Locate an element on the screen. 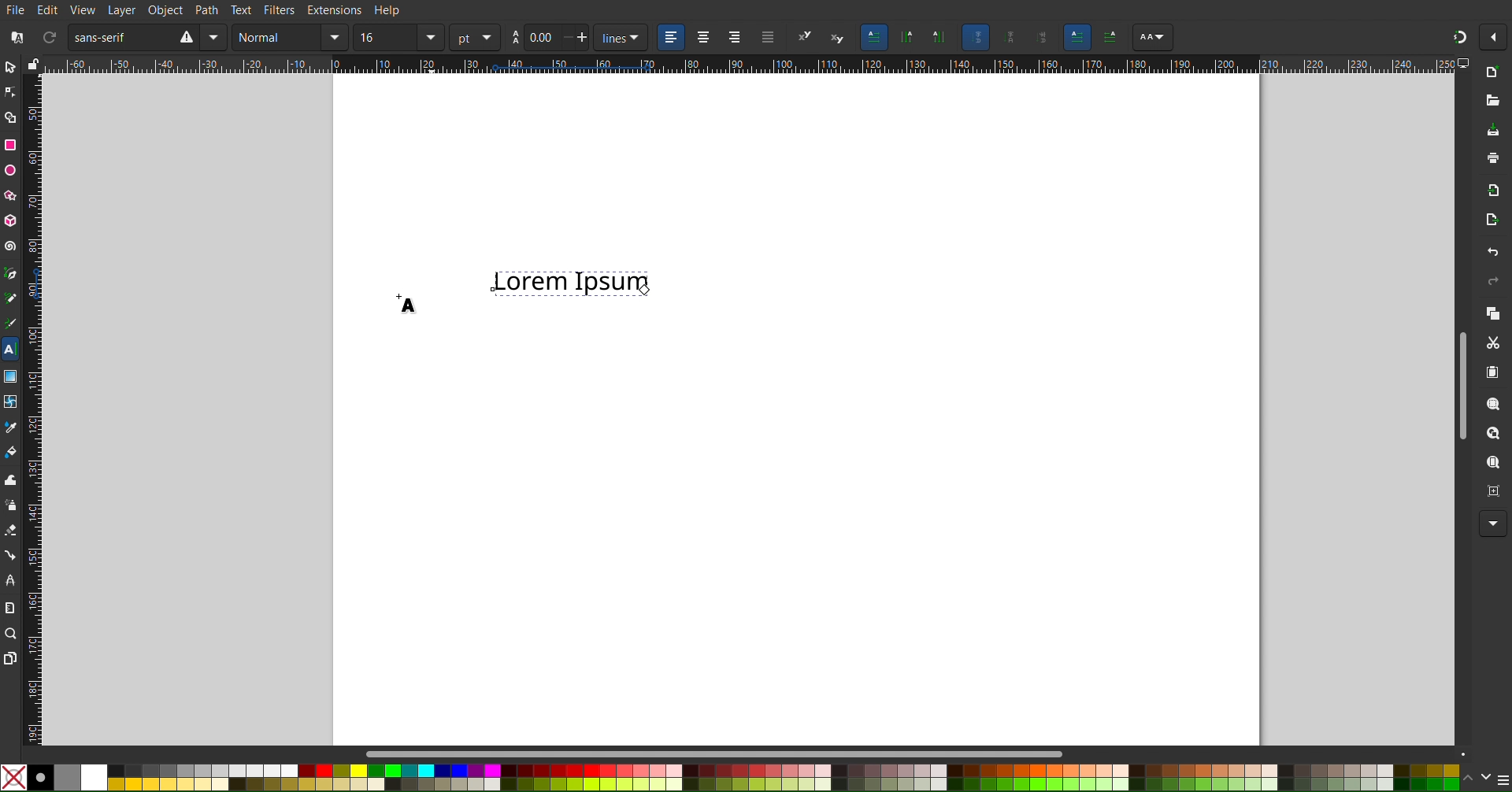  Text Tool is located at coordinates (10, 350).